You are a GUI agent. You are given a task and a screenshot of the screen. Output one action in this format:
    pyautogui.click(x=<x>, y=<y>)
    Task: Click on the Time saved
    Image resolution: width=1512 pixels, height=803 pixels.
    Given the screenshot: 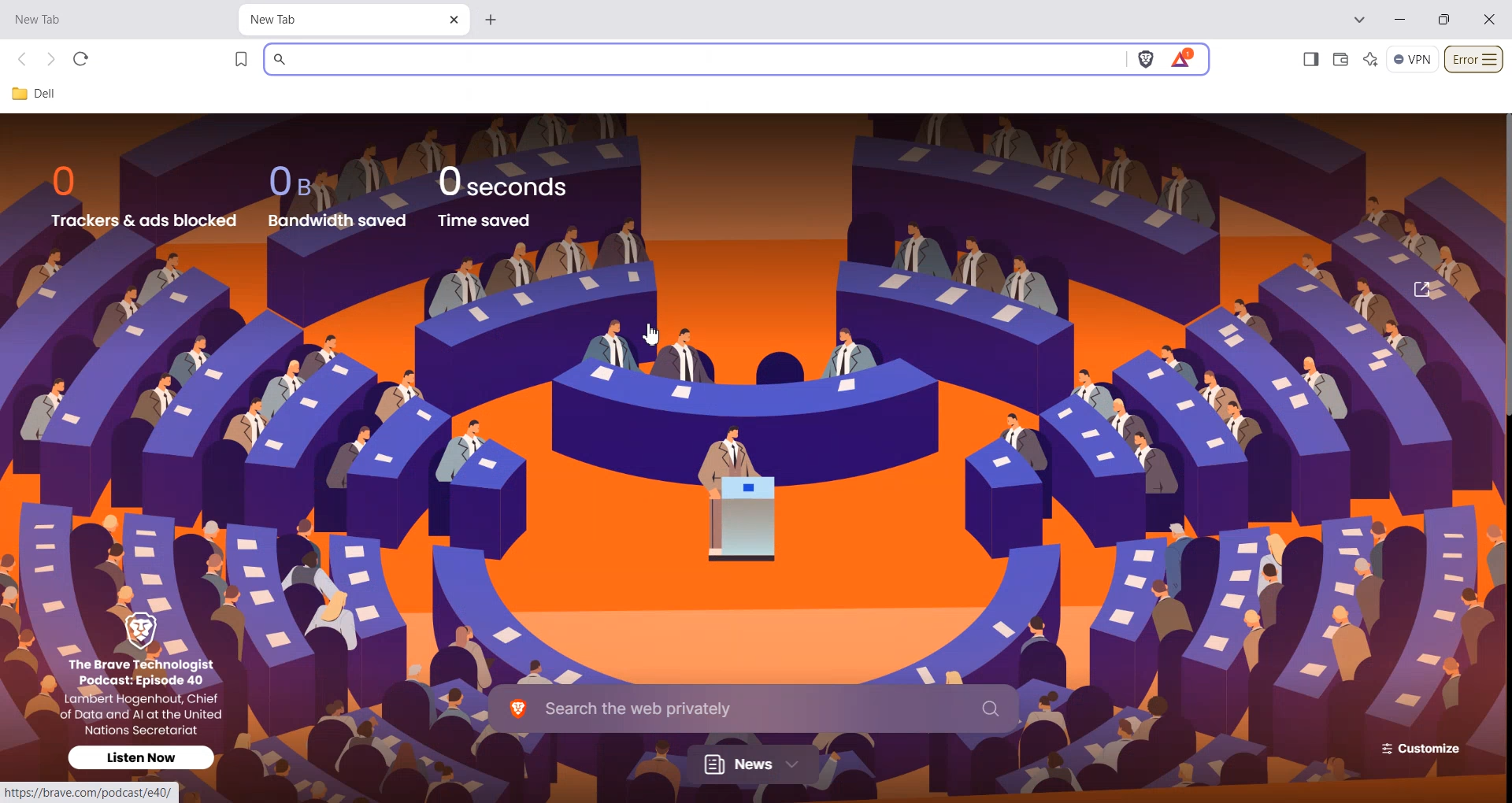 What is the action you would take?
    pyautogui.click(x=485, y=220)
    